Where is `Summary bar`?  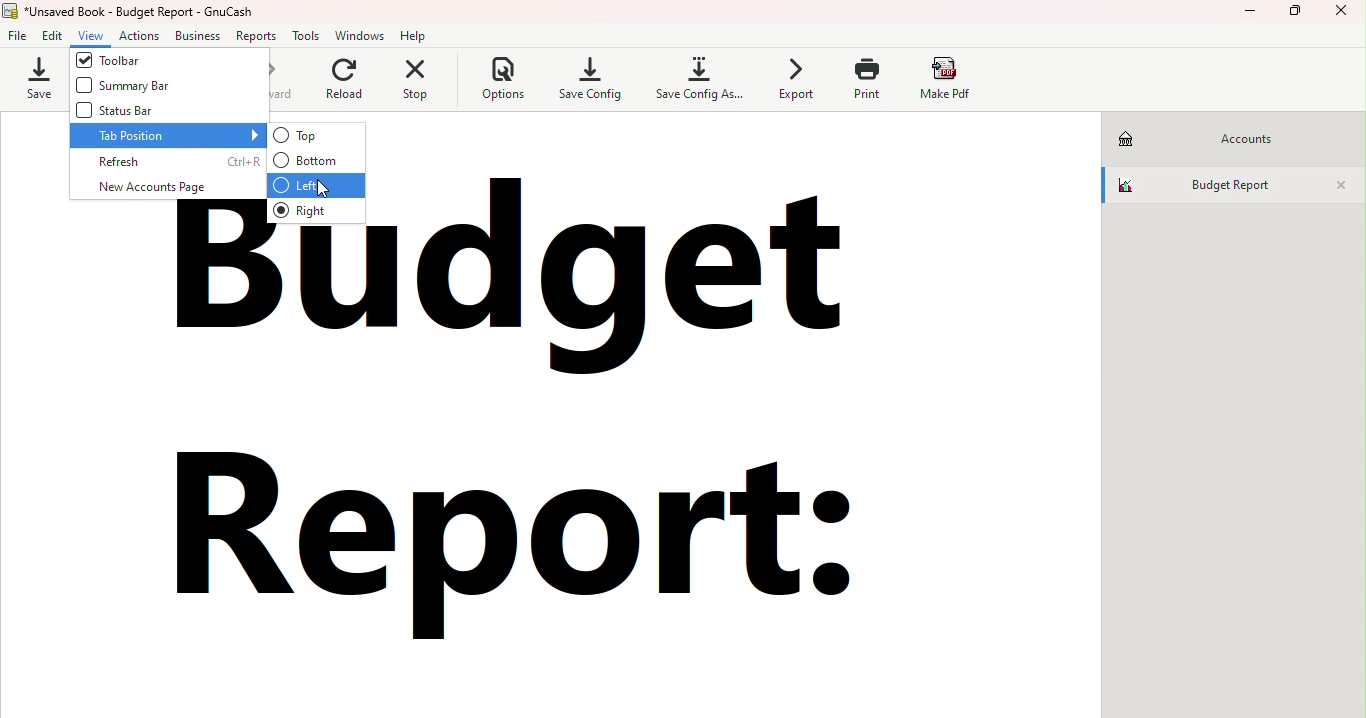
Summary bar is located at coordinates (137, 86).